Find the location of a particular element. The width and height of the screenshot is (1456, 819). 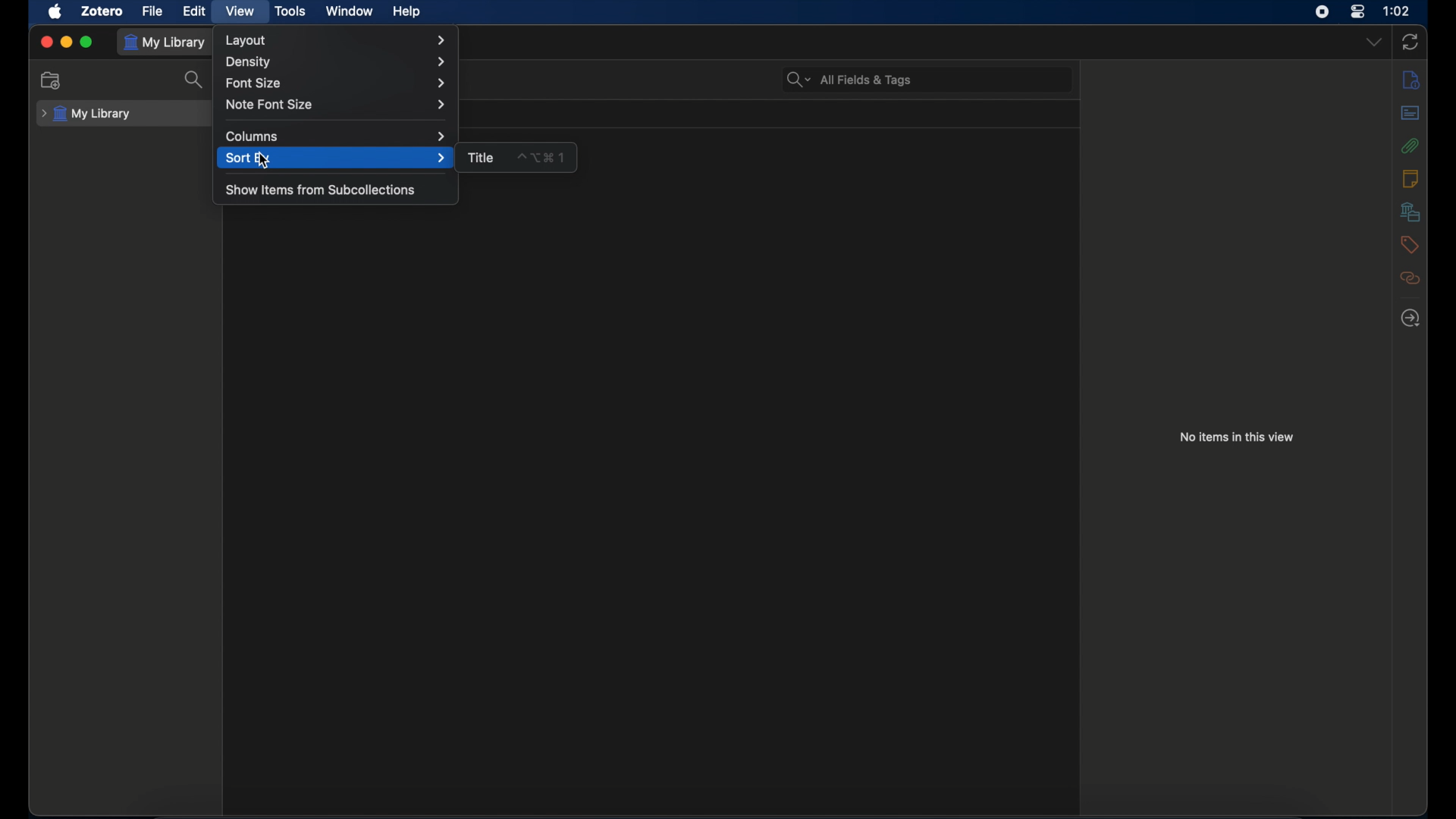

tags is located at coordinates (1407, 244).